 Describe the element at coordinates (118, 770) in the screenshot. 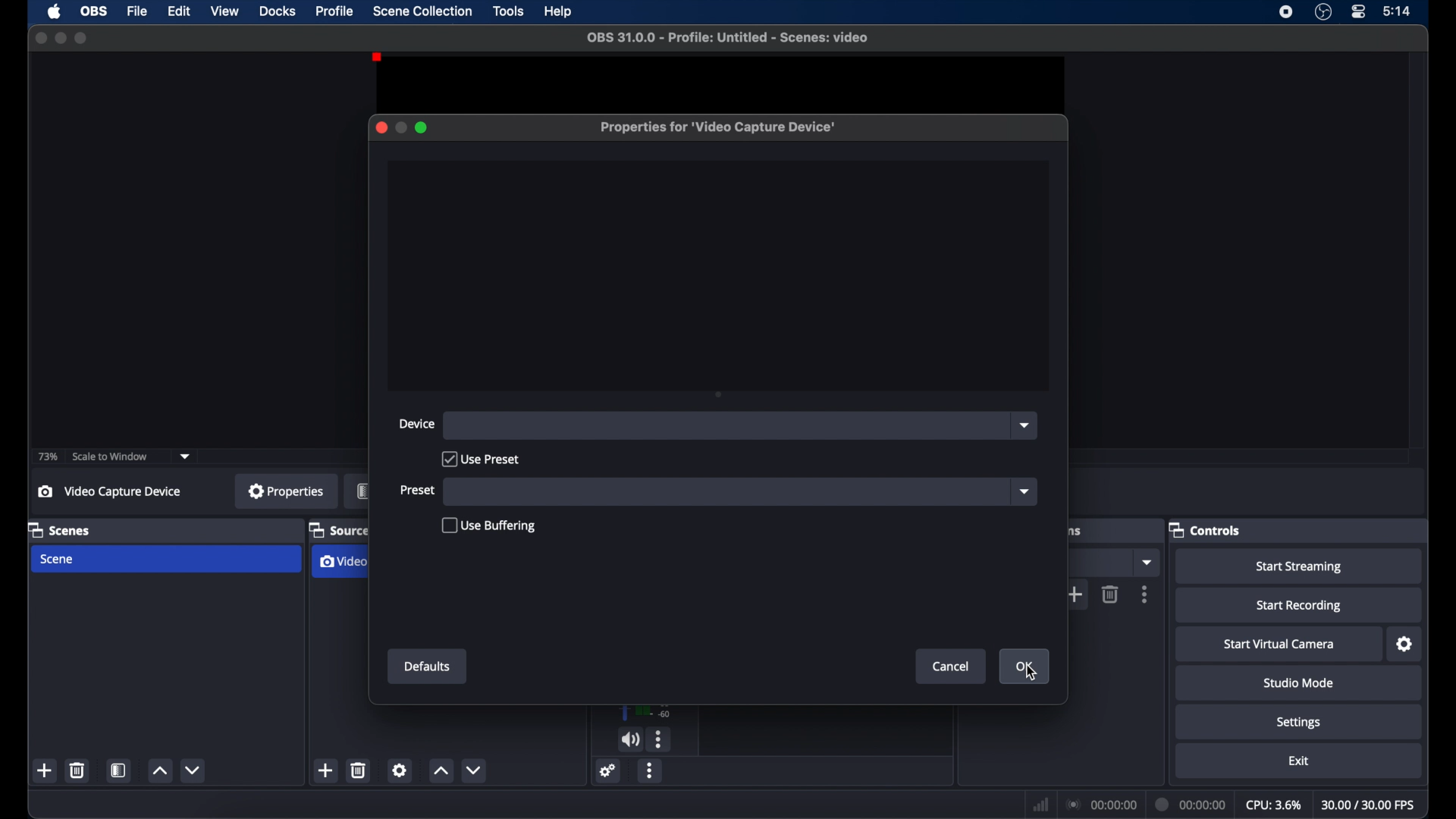

I see `scene filter` at that location.